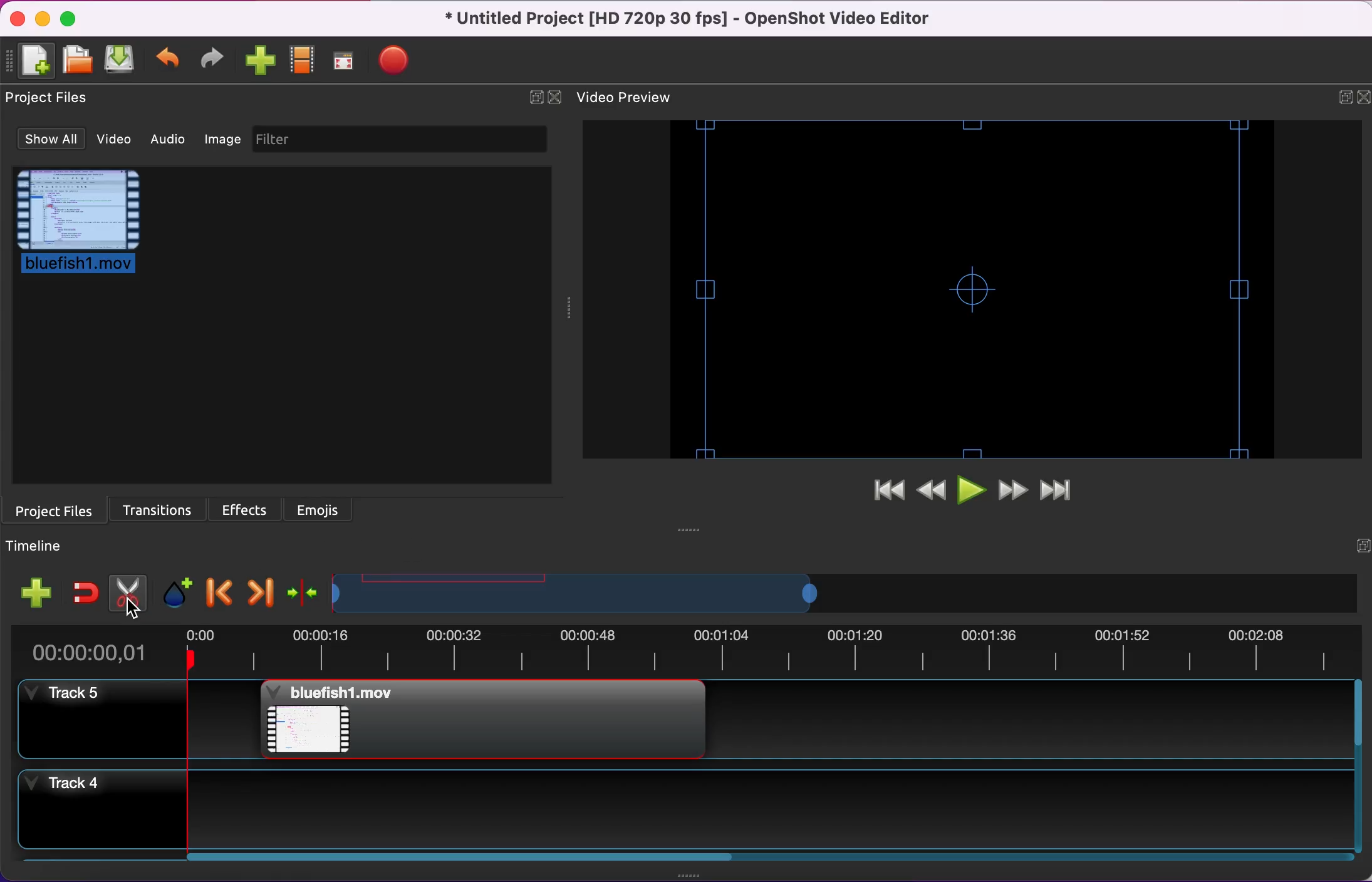 This screenshot has width=1372, height=882. What do you see at coordinates (967, 291) in the screenshot?
I see `video preview` at bounding box center [967, 291].